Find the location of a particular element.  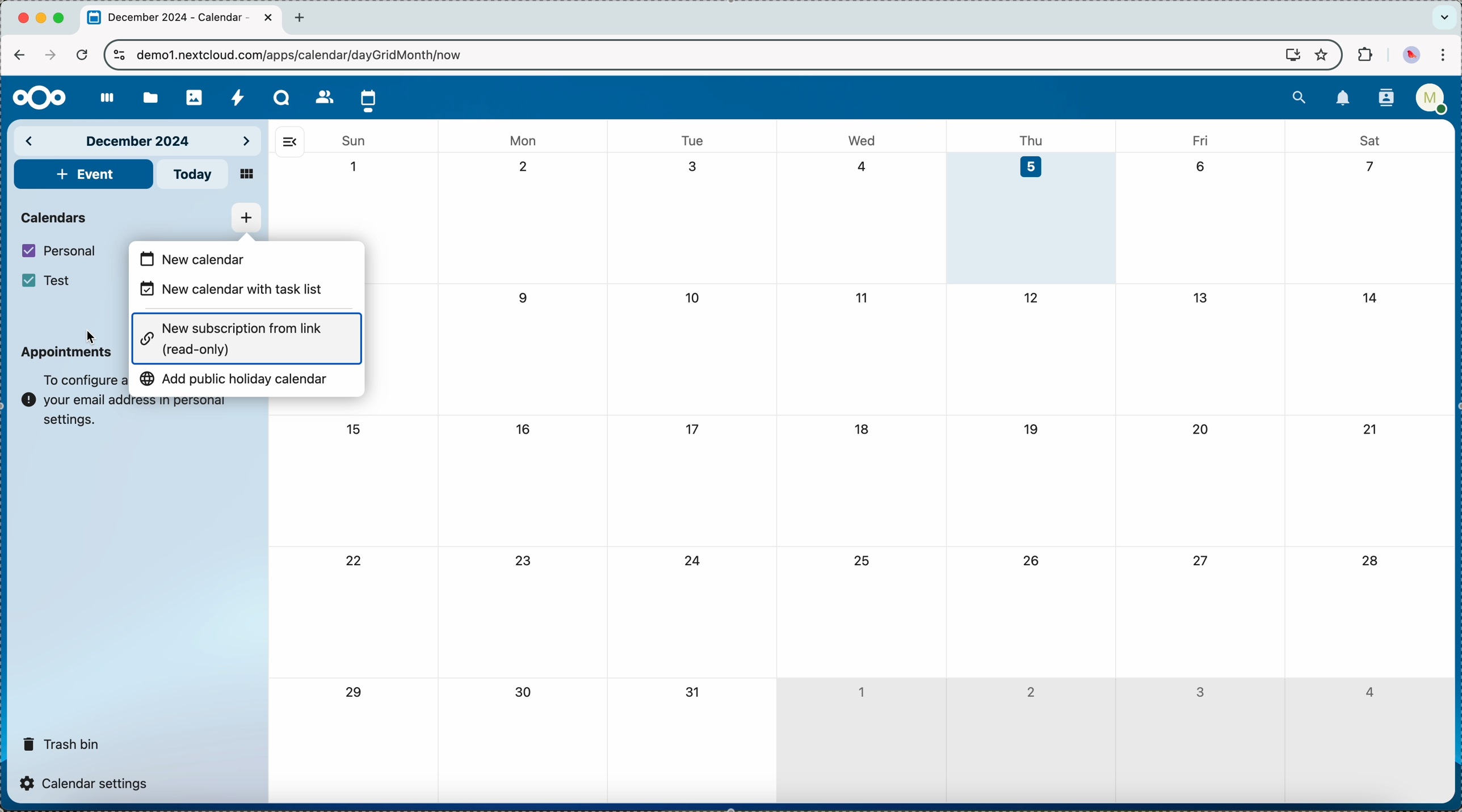

26 is located at coordinates (1032, 559).